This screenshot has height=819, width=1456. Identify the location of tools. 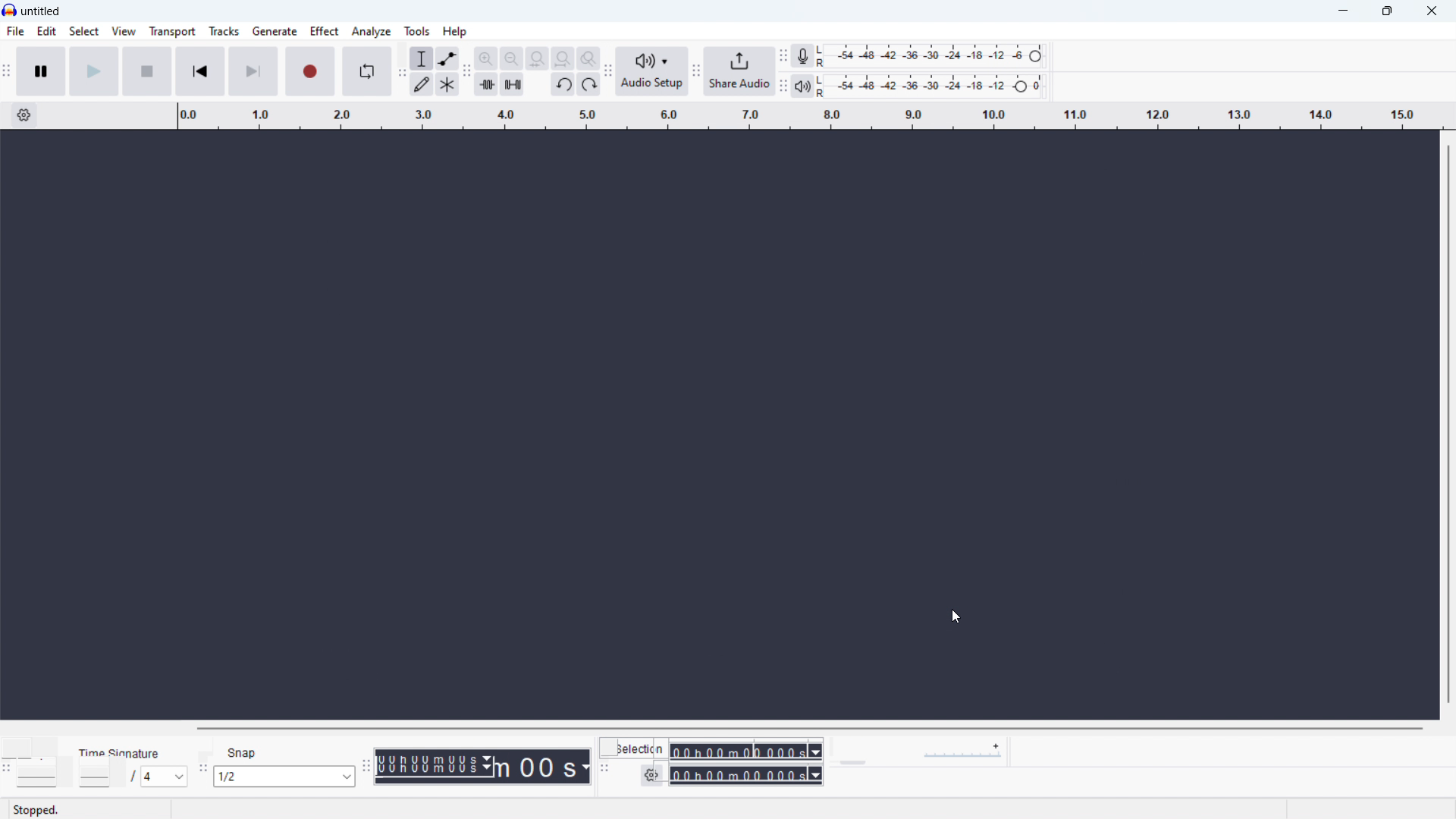
(417, 31).